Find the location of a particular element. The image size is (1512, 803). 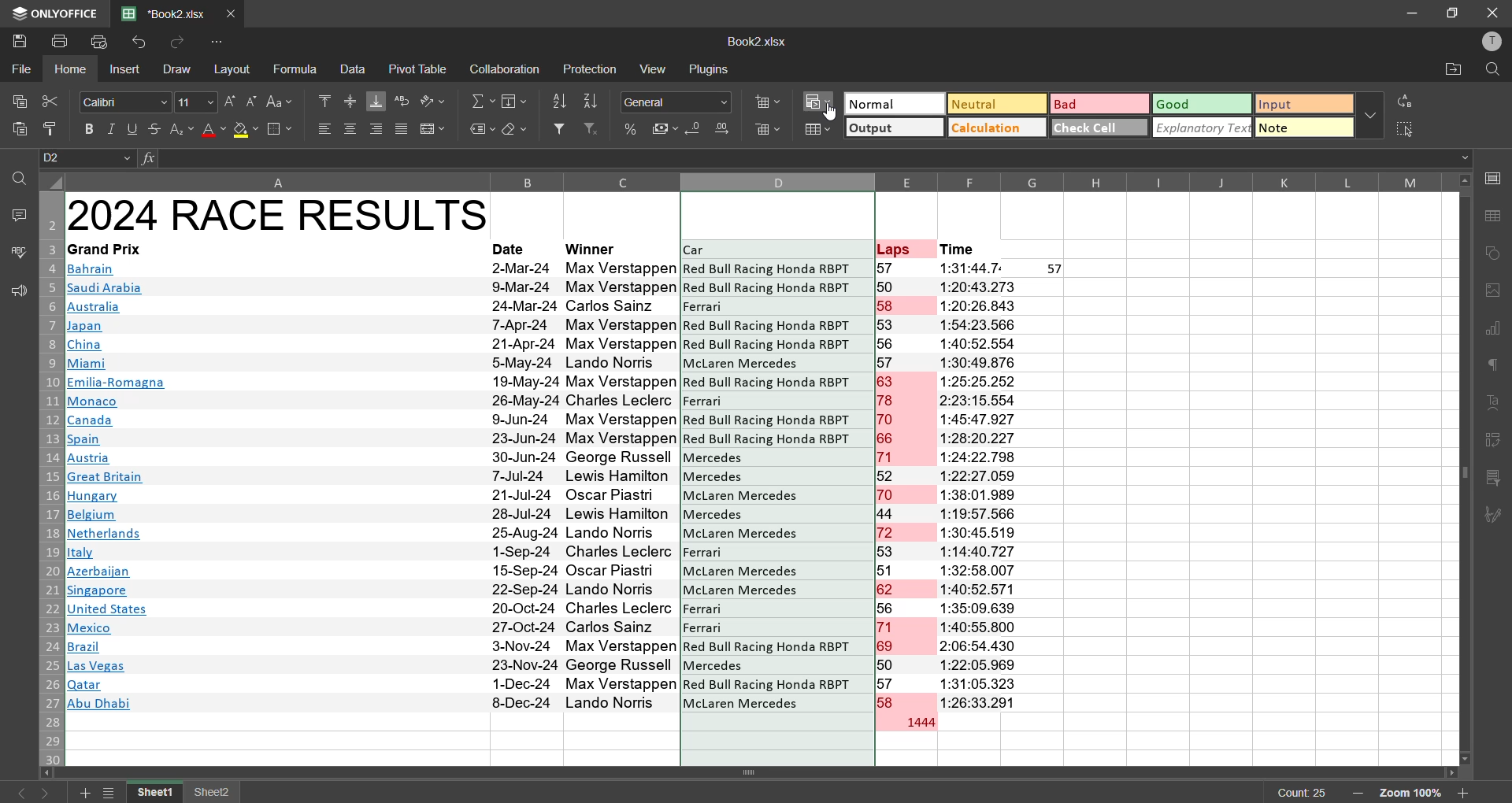

find is located at coordinates (1492, 70).